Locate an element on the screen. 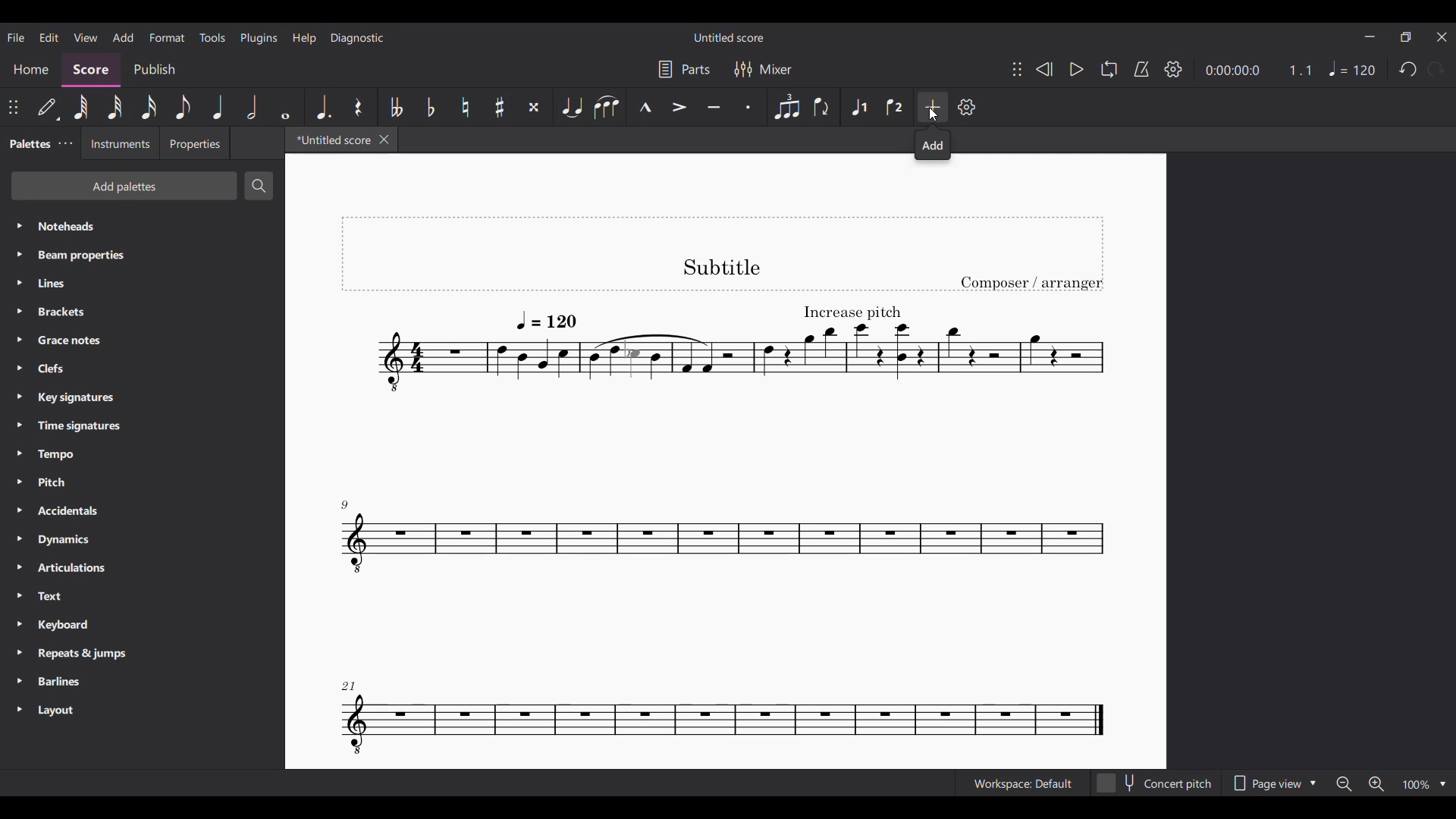  Concert pitch toggle is located at coordinates (1155, 783).